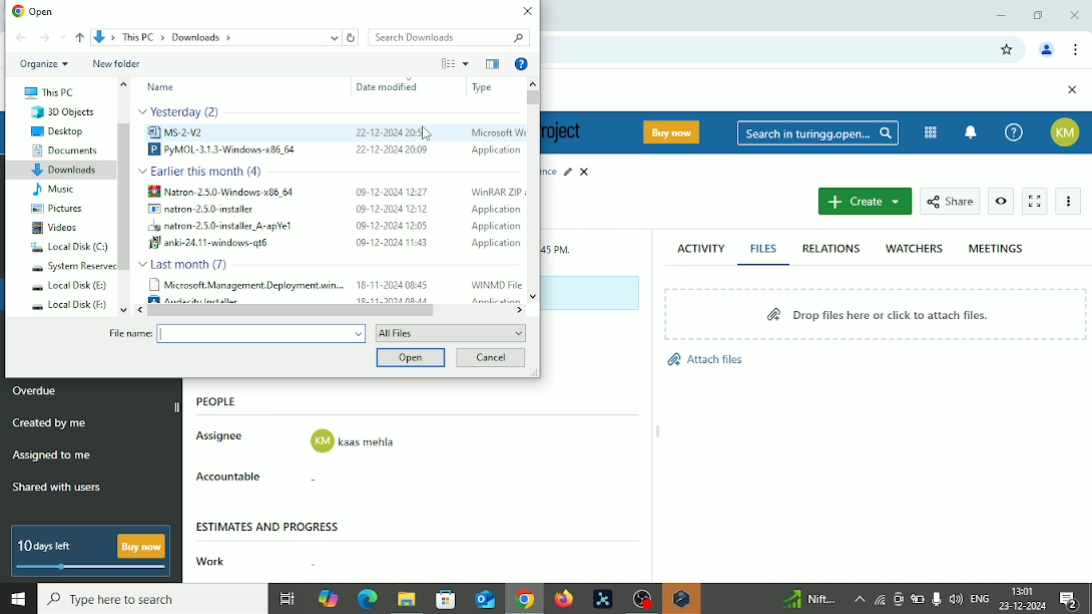 Image resolution: width=1092 pixels, height=614 pixels. I want to click on Local disk (C:), so click(68, 248).